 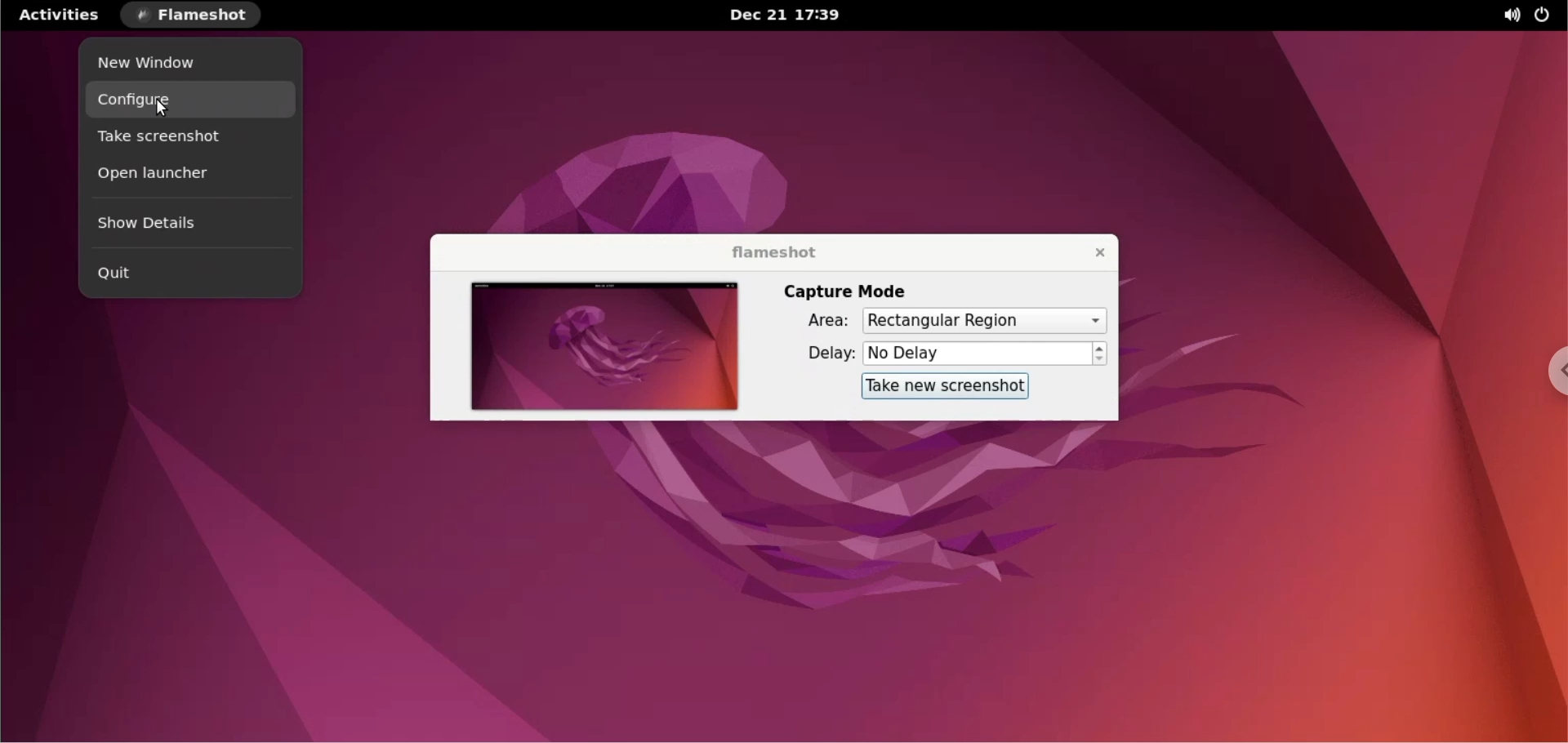 I want to click on sound options, so click(x=1505, y=15).